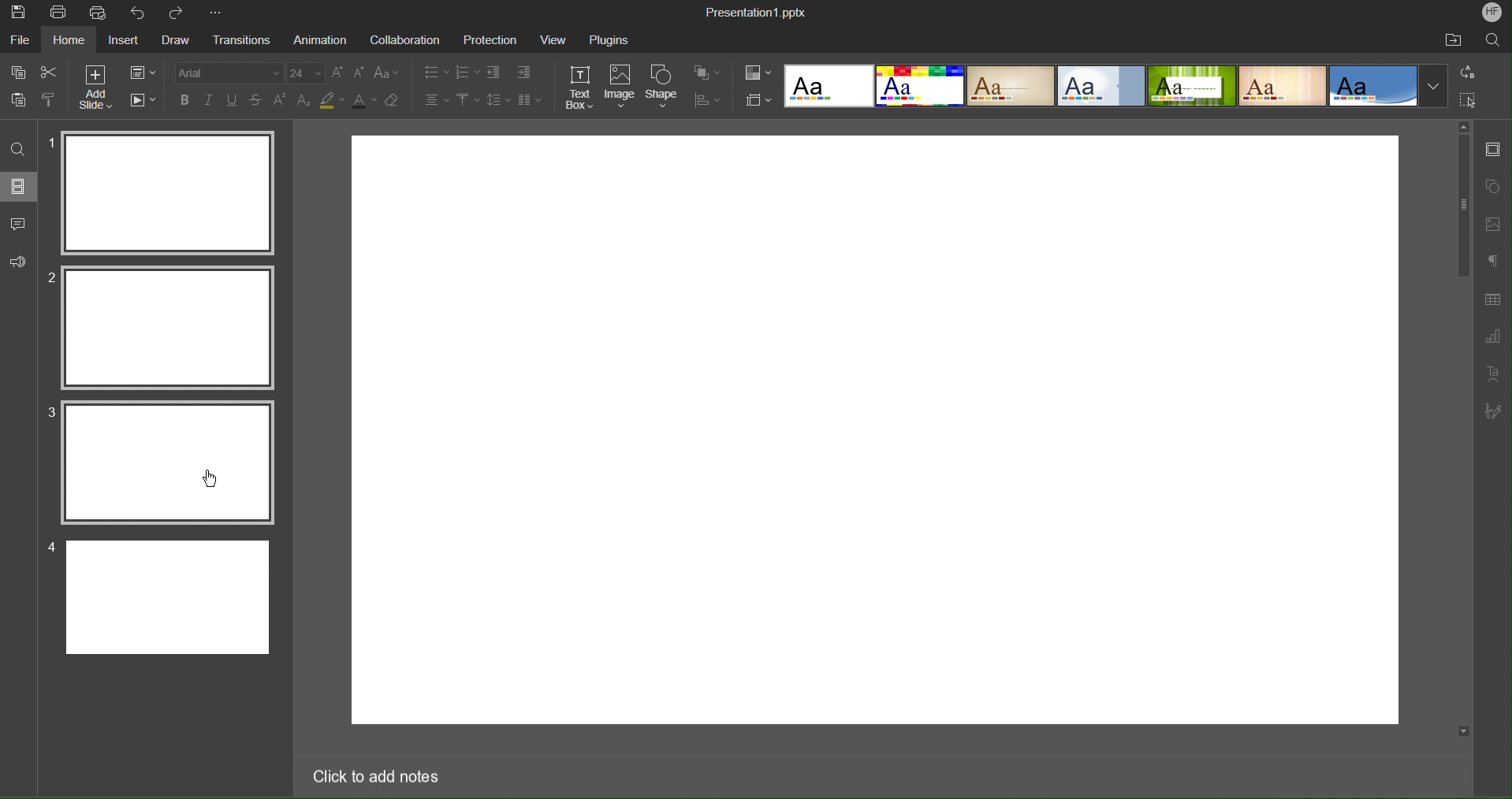  I want to click on Cut, so click(51, 71).